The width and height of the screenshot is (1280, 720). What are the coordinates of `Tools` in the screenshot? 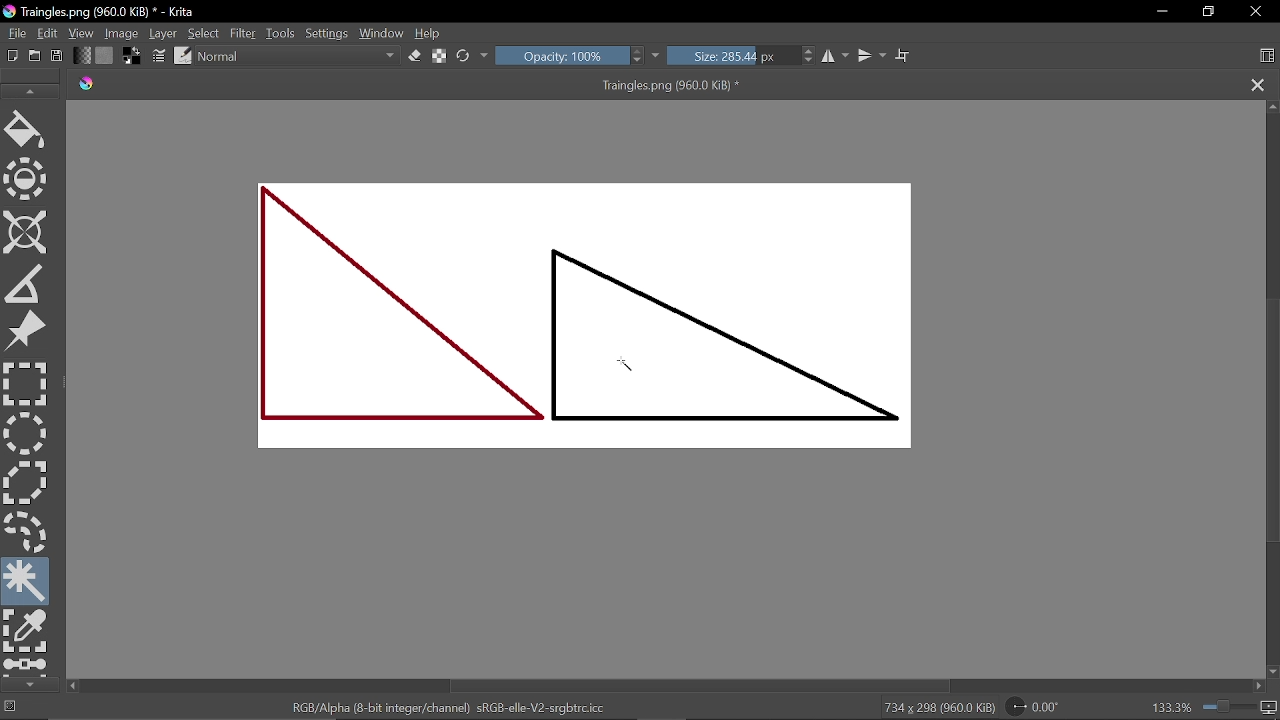 It's located at (282, 33).